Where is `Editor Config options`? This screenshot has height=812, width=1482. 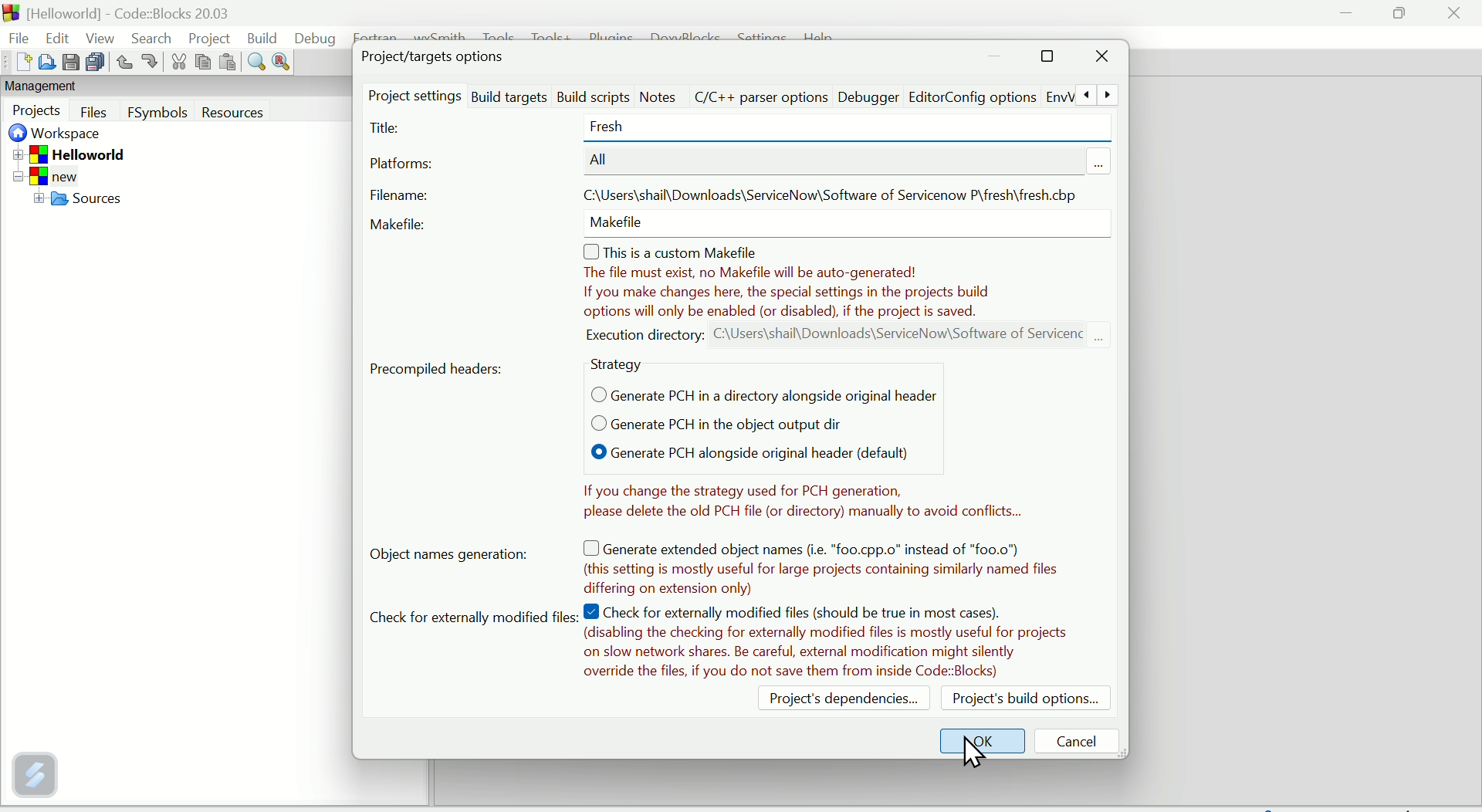
Editor Config options is located at coordinates (989, 96).